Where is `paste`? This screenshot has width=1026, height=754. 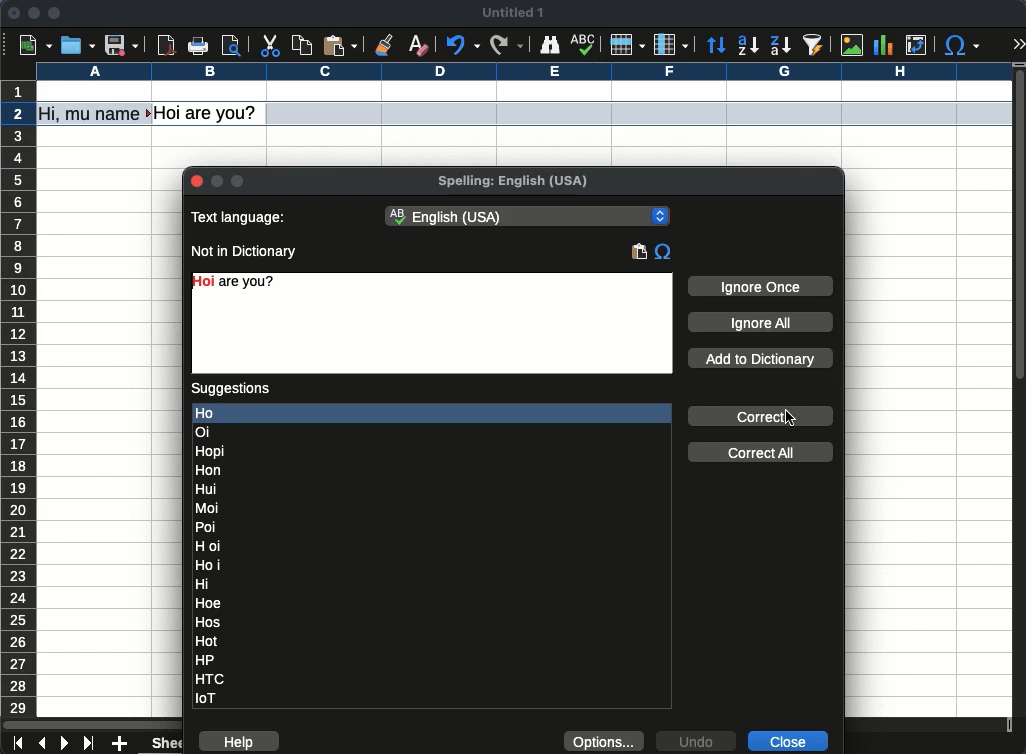 paste is located at coordinates (639, 251).